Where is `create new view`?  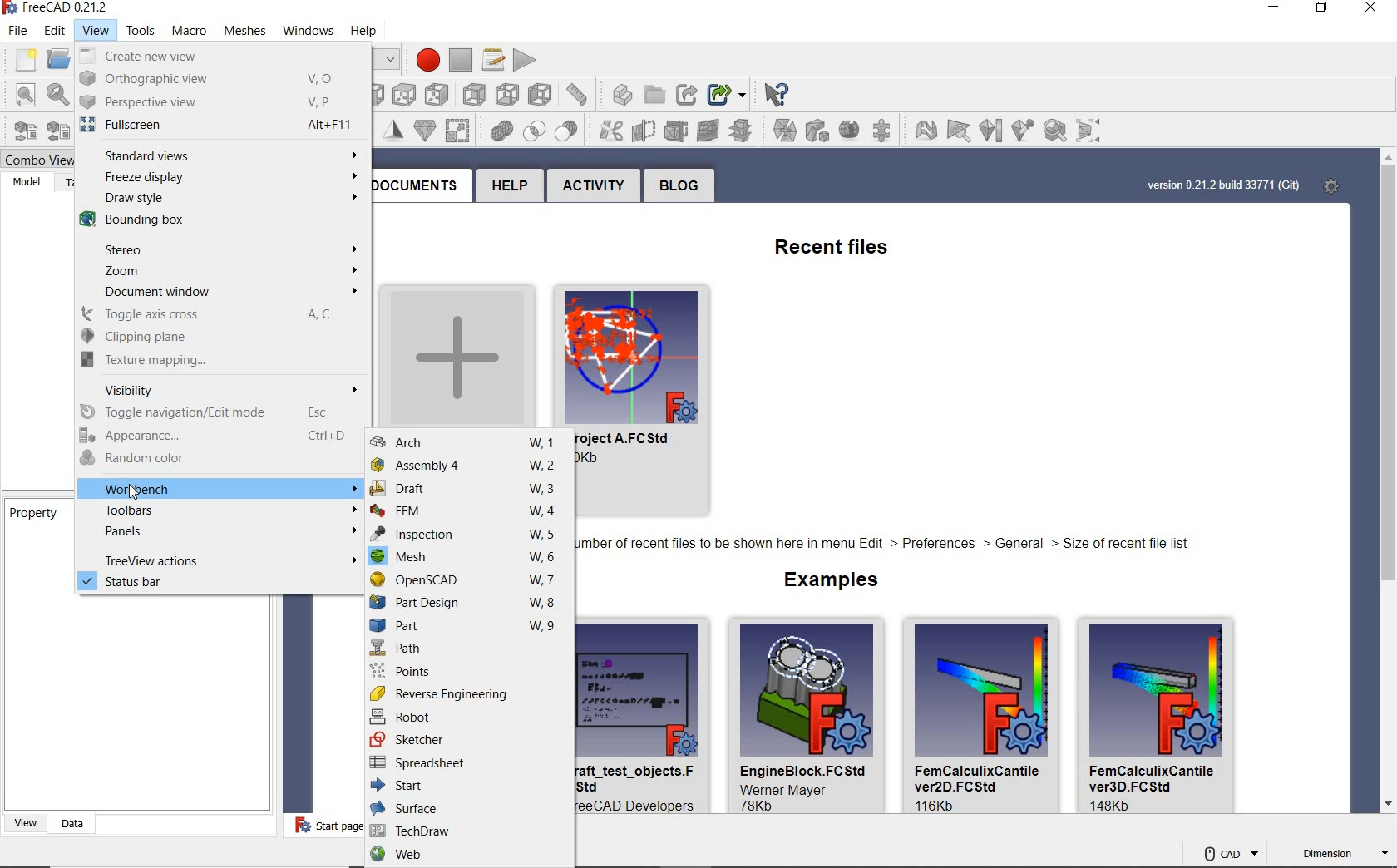 create new view is located at coordinates (213, 57).